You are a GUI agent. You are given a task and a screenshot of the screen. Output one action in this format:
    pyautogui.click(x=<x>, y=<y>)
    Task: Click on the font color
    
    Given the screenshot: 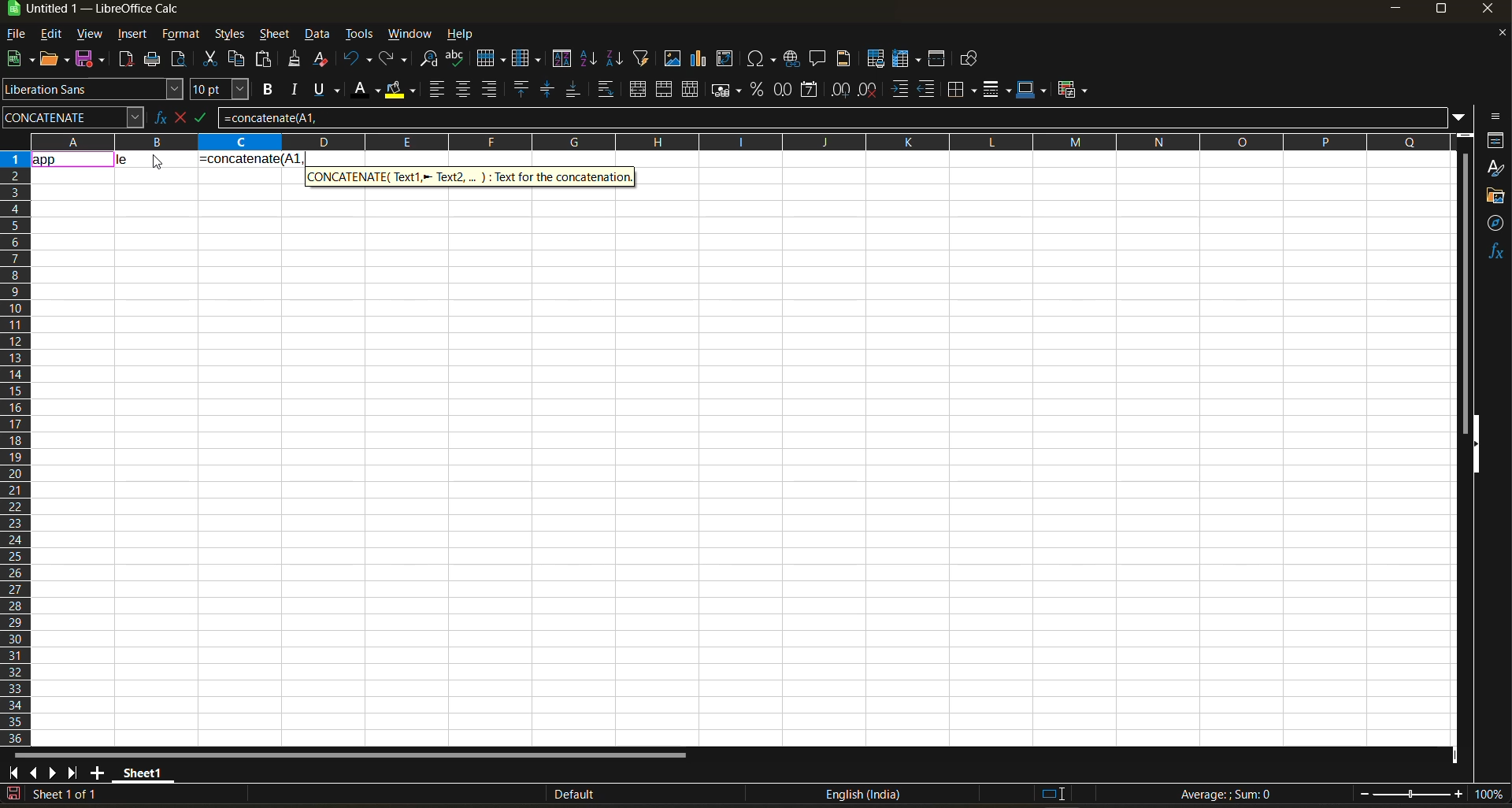 What is the action you would take?
    pyautogui.click(x=369, y=88)
    